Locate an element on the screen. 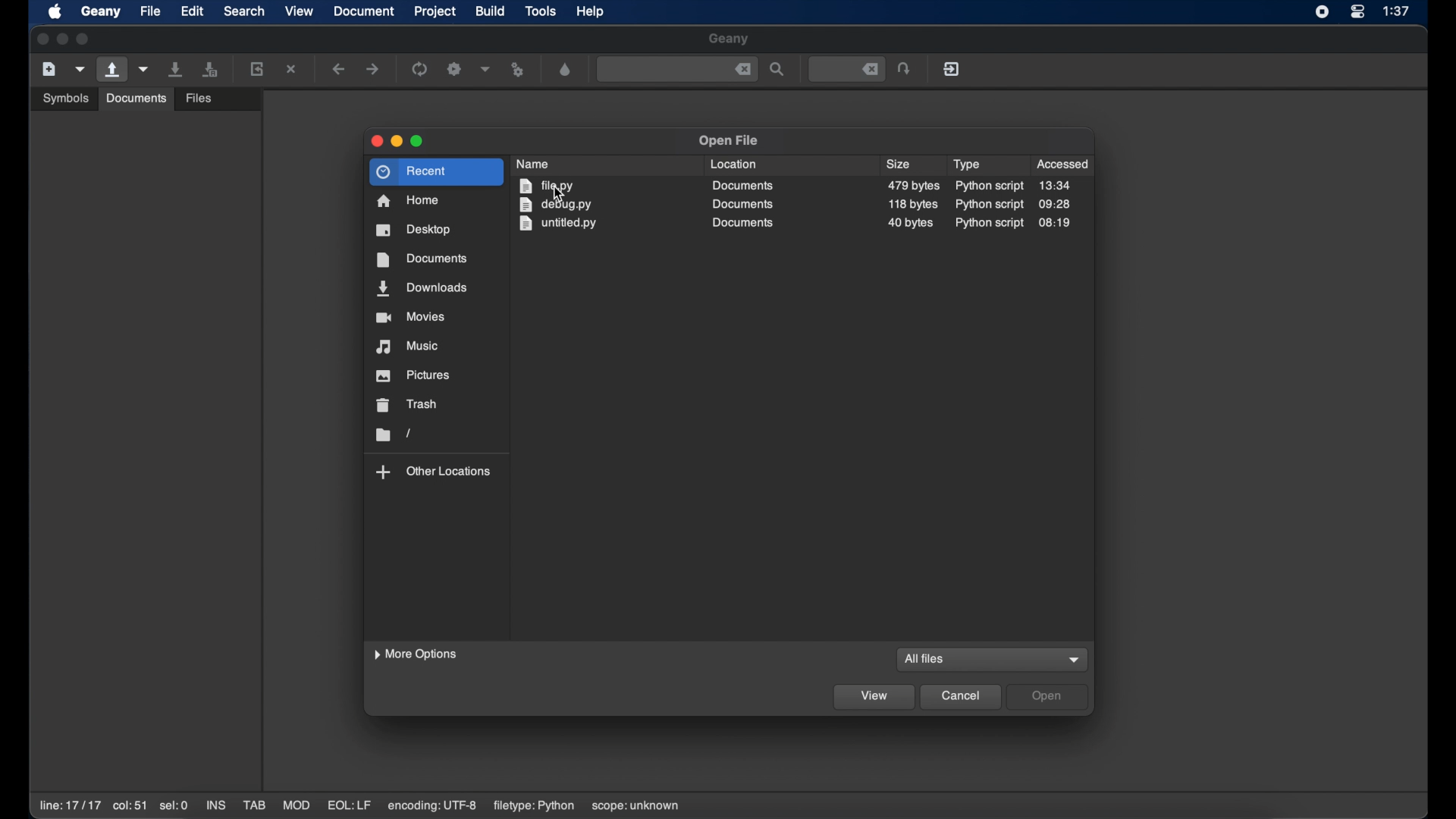 The width and height of the screenshot is (1456, 819). minimize is located at coordinates (62, 39).